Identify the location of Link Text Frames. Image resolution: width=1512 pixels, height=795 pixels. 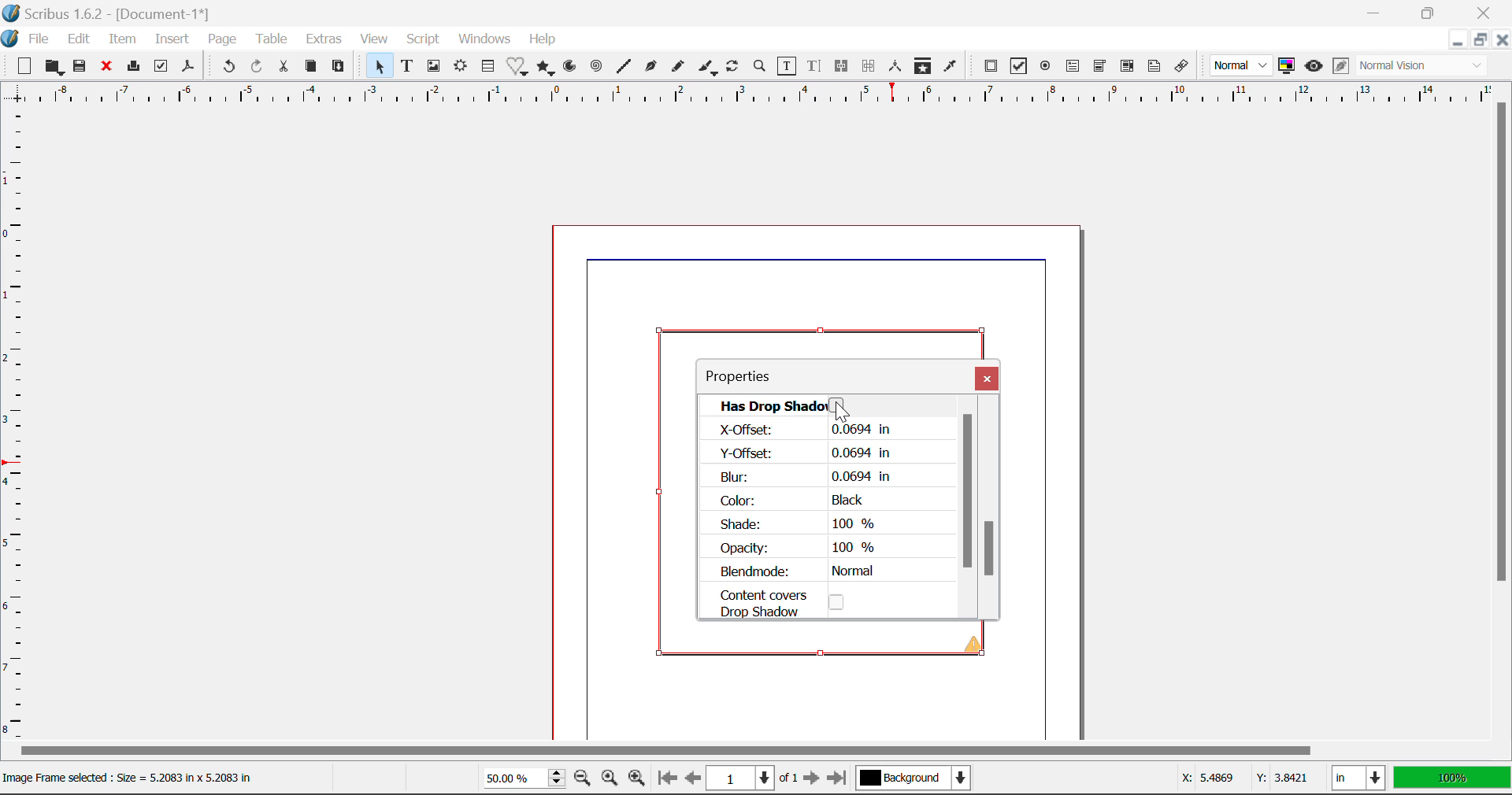
(842, 68).